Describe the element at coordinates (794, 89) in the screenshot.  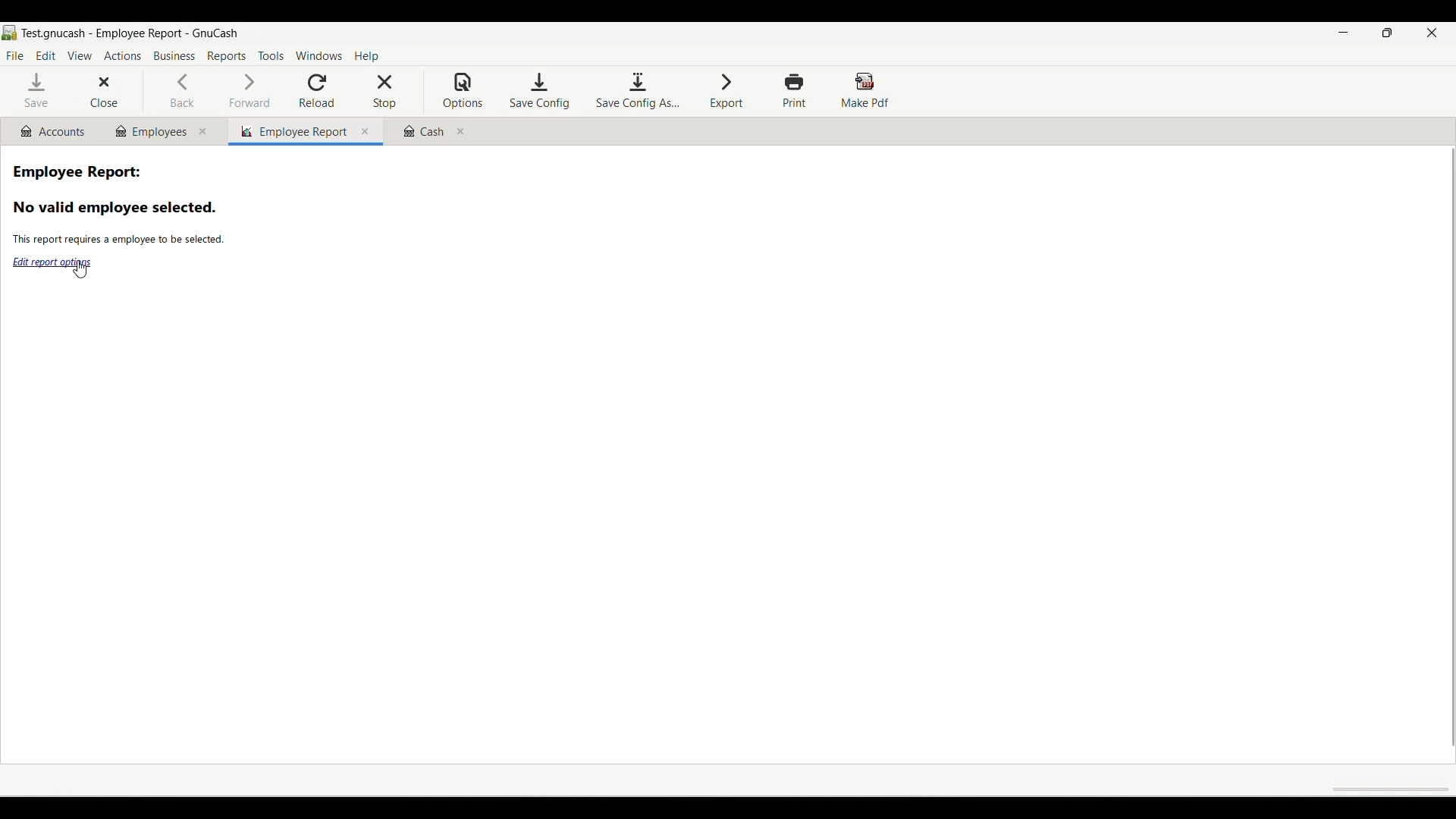
I see `Print` at that location.